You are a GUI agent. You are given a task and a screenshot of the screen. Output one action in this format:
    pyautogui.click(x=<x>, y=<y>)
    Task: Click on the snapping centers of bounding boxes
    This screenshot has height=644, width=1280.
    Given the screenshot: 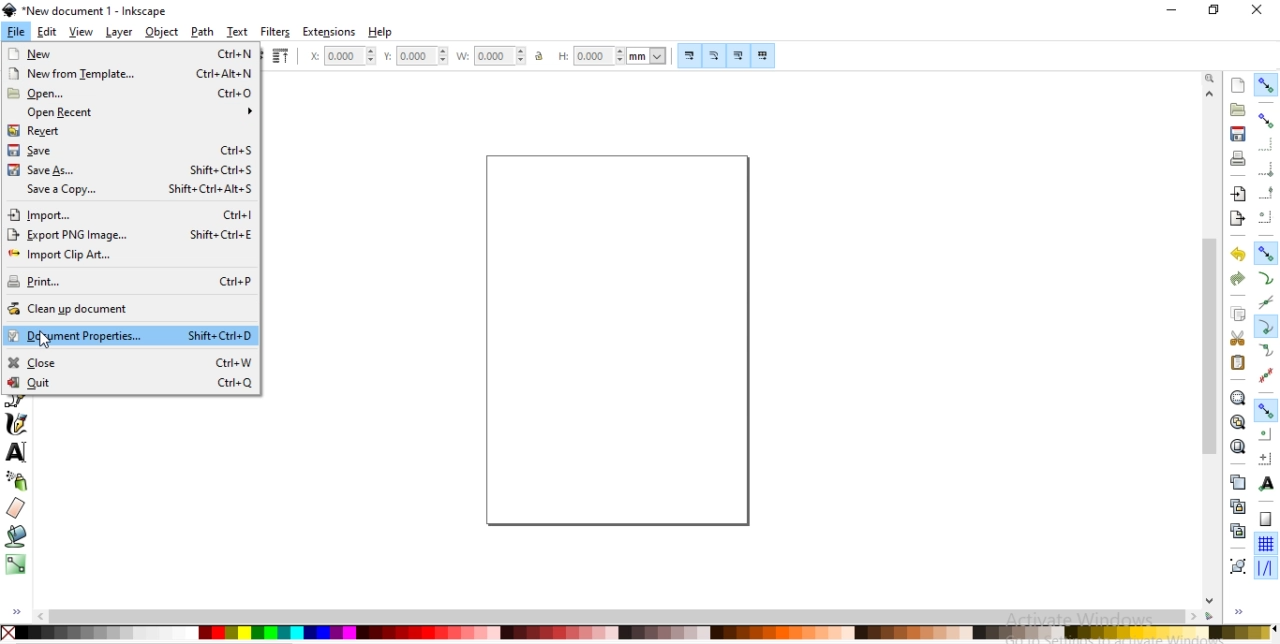 What is the action you would take?
    pyautogui.click(x=1265, y=217)
    